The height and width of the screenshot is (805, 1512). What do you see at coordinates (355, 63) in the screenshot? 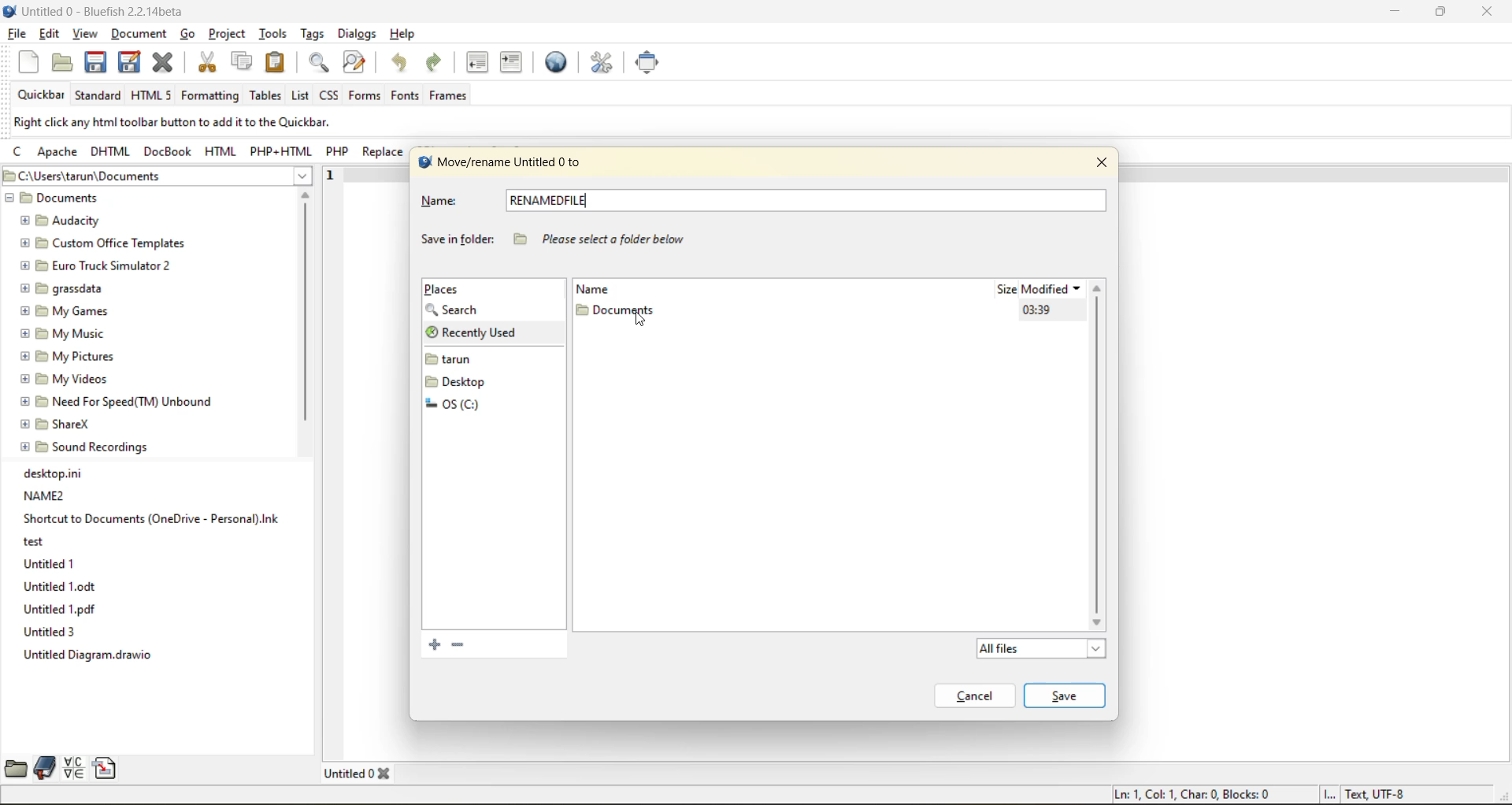
I see `find and replace` at bounding box center [355, 63].